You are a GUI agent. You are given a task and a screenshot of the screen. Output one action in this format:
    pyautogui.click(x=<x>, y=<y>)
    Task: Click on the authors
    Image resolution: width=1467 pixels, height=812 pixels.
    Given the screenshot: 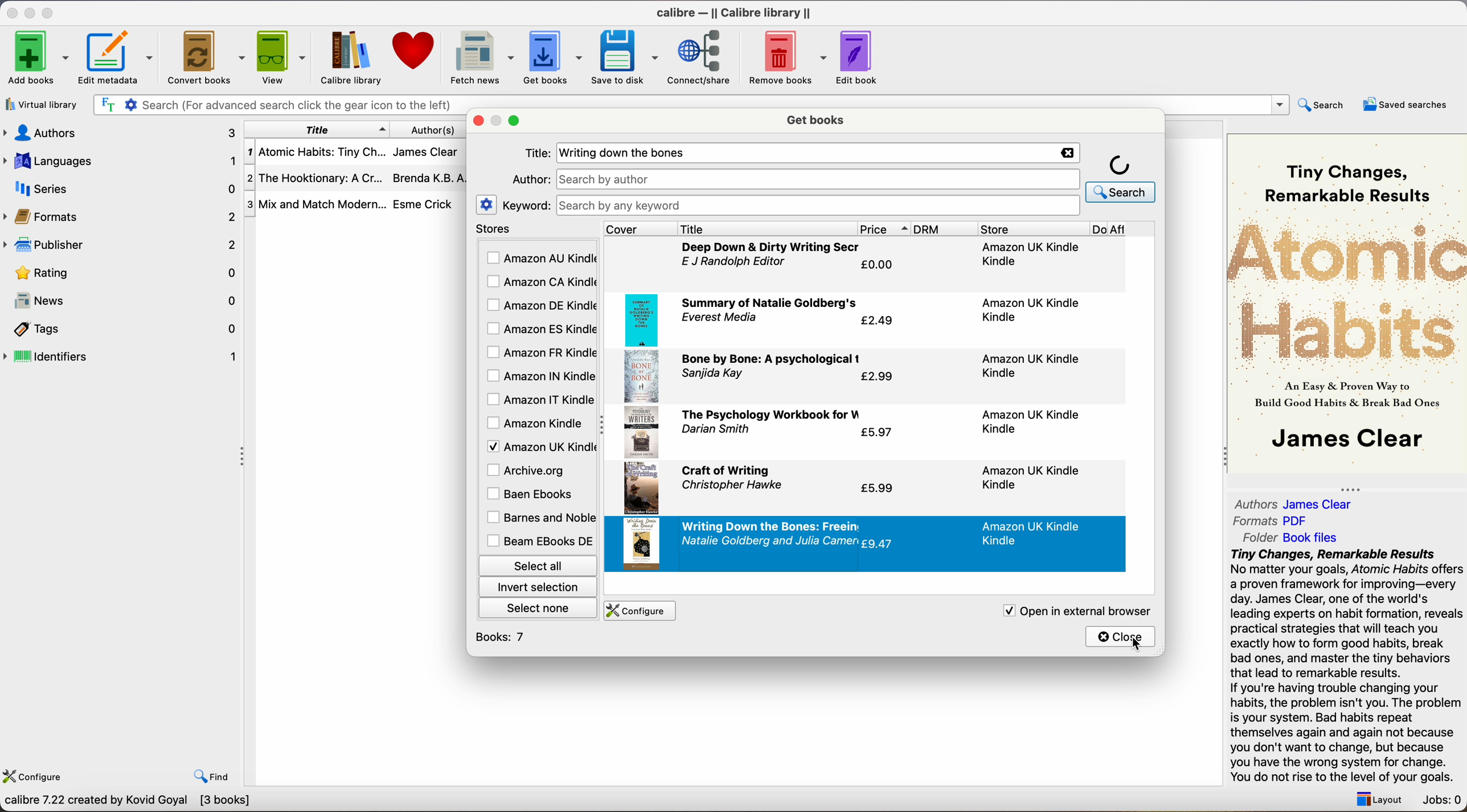 What is the action you would take?
    pyautogui.click(x=118, y=132)
    